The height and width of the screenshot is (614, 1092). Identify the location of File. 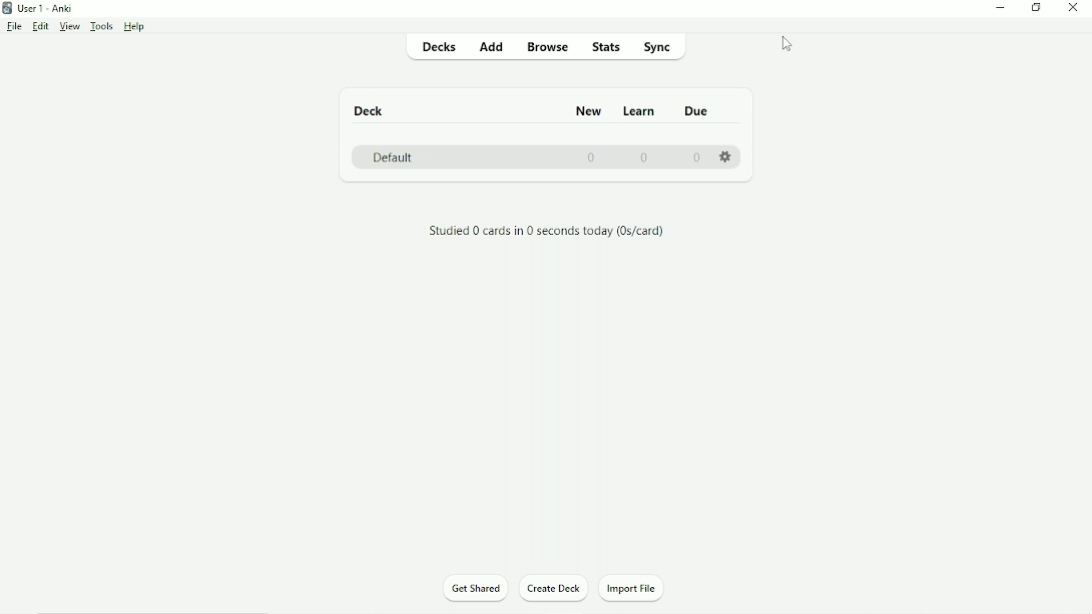
(16, 27).